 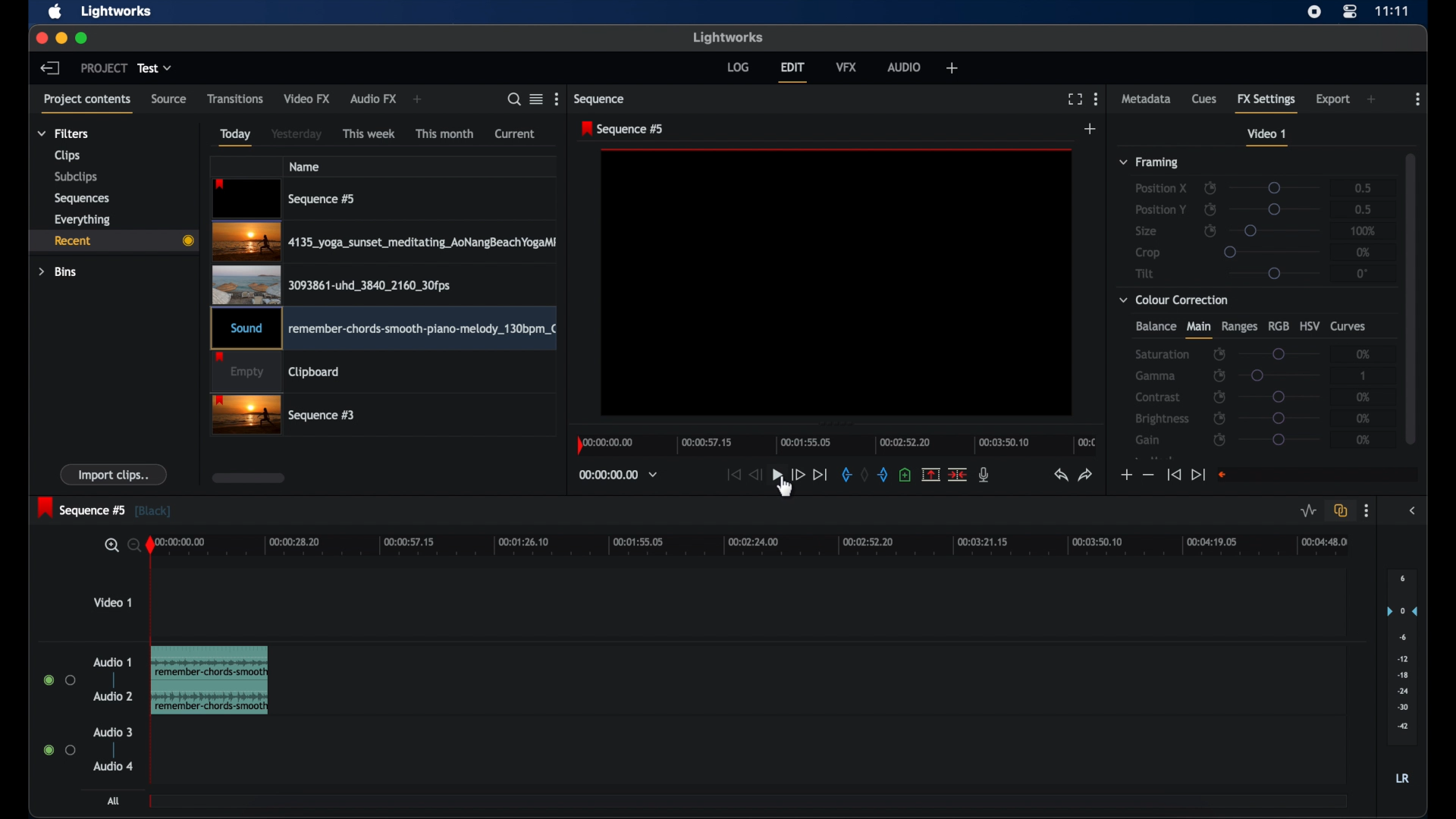 I want to click on jump to end, so click(x=1198, y=475).